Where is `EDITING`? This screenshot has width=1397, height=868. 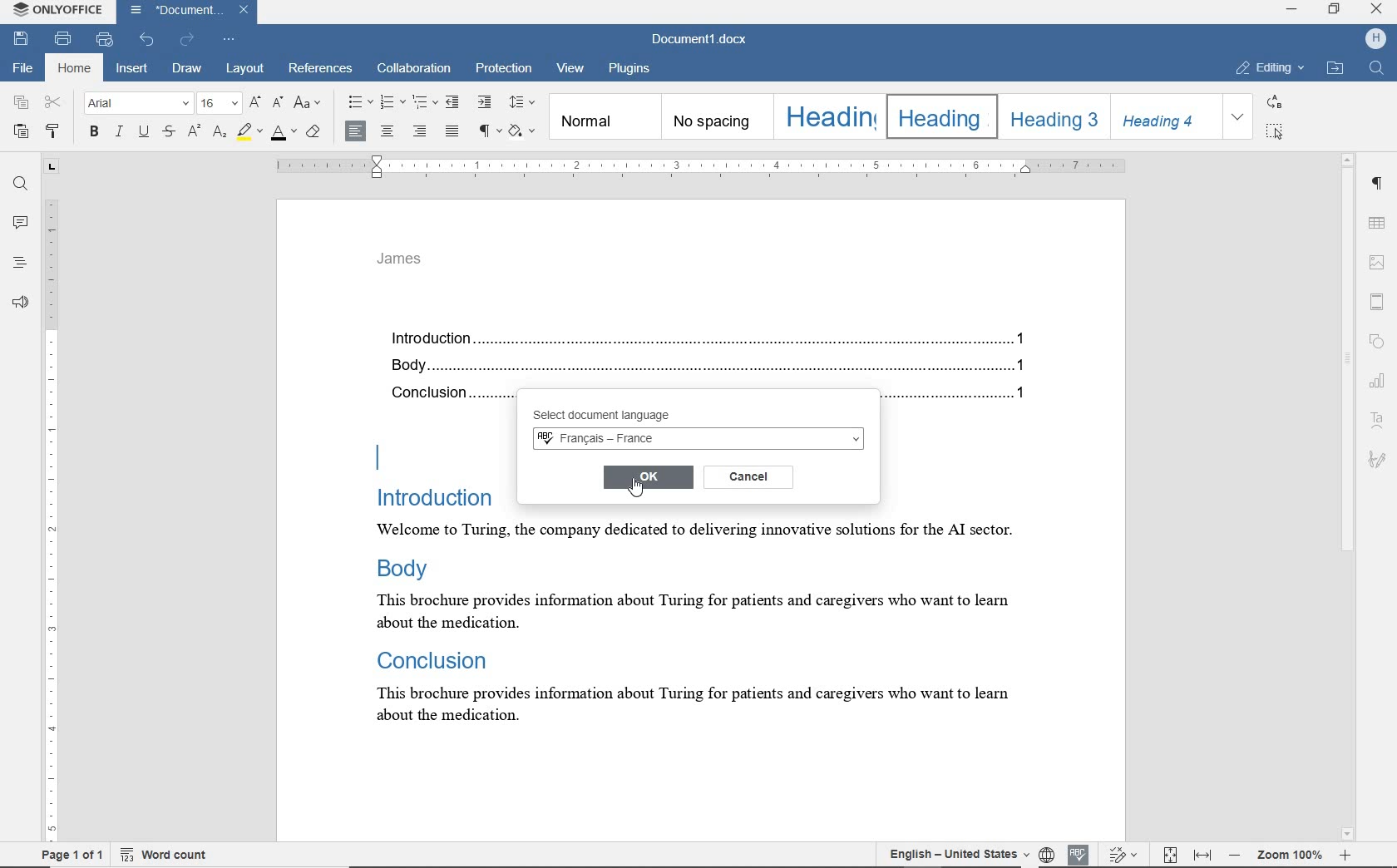
EDITING is located at coordinates (1271, 69).